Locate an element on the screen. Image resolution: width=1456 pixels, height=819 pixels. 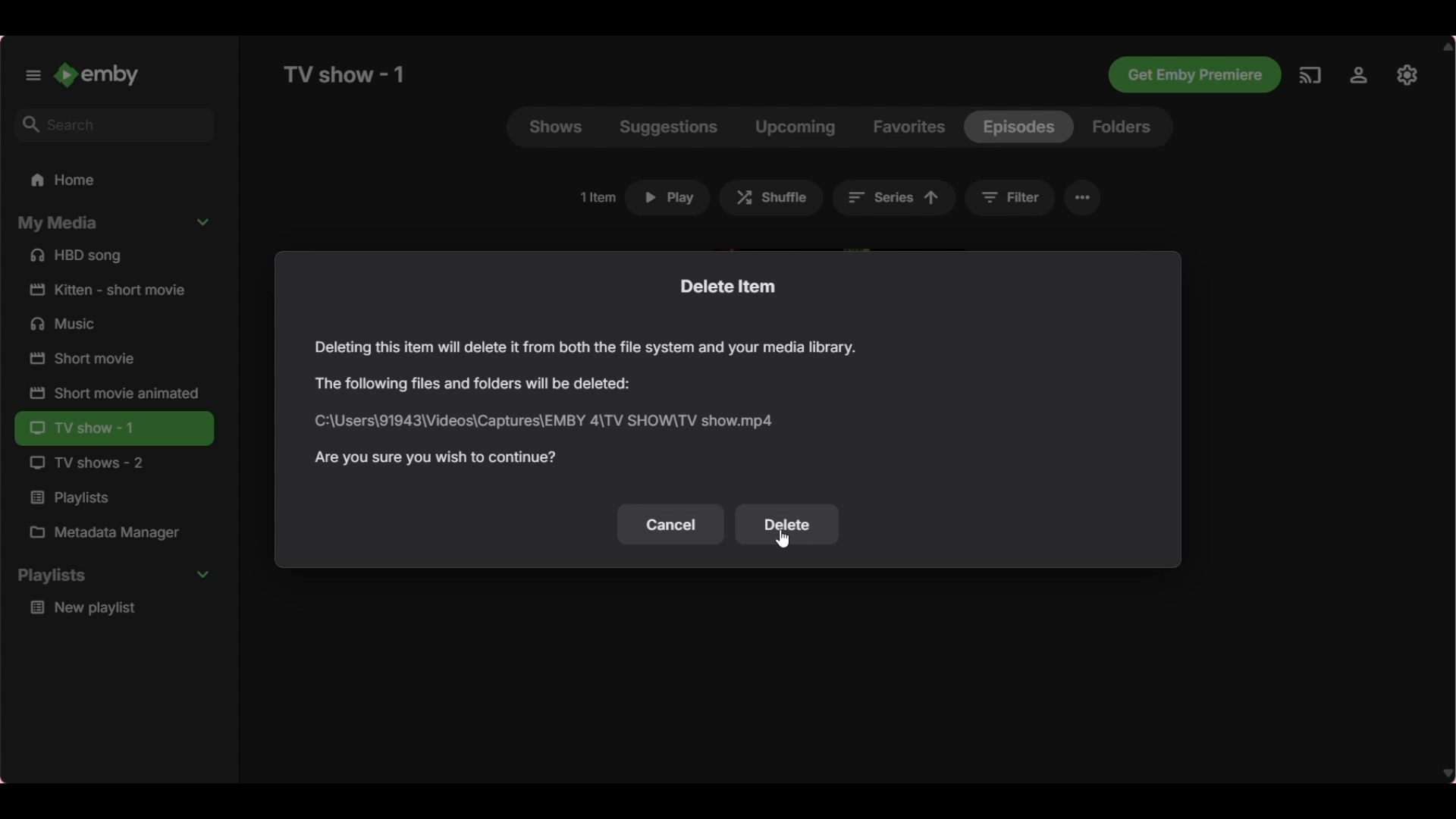
Metadata Manager is located at coordinates (114, 532).